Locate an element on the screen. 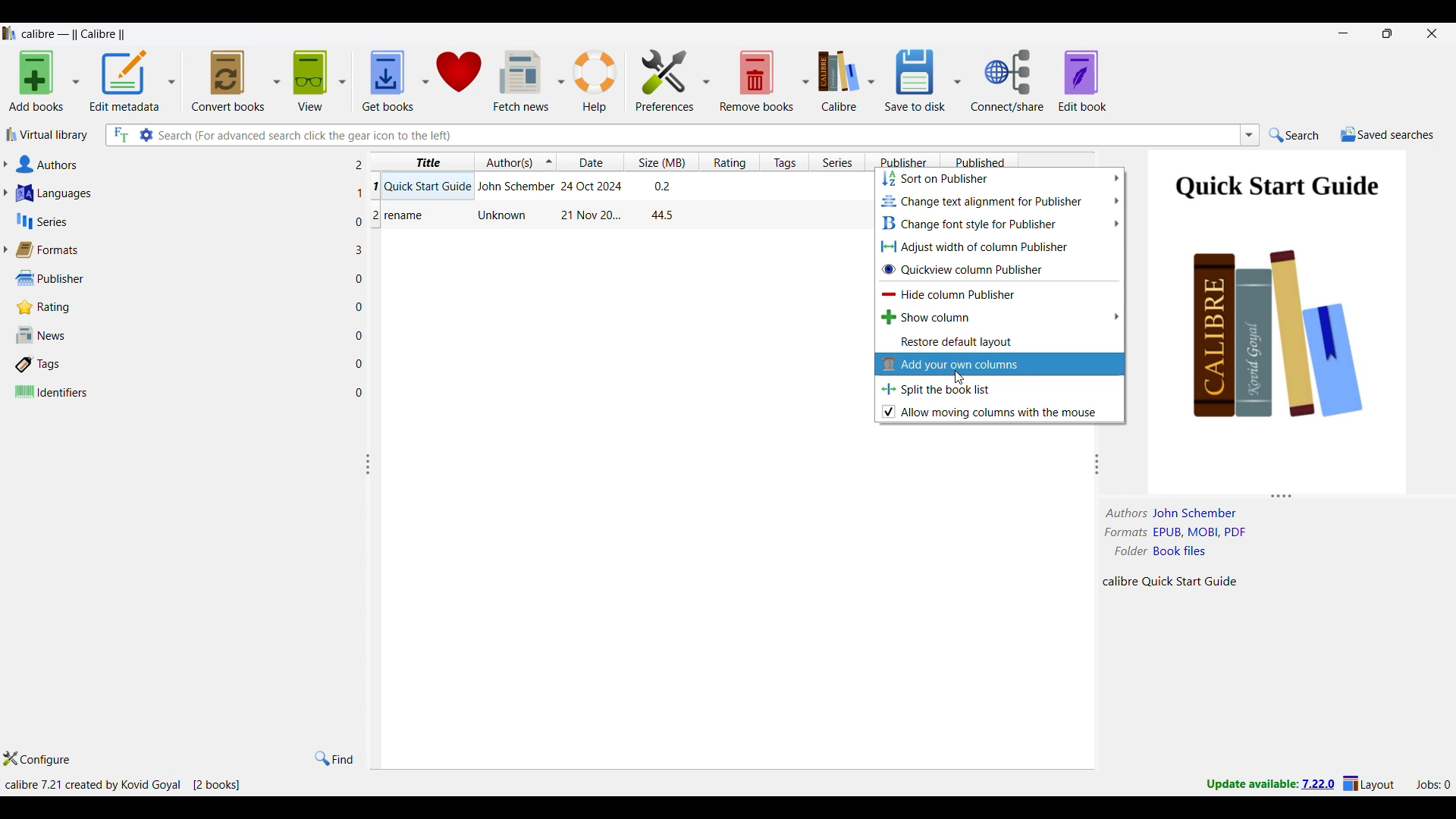  Layout settings is located at coordinates (1369, 783).